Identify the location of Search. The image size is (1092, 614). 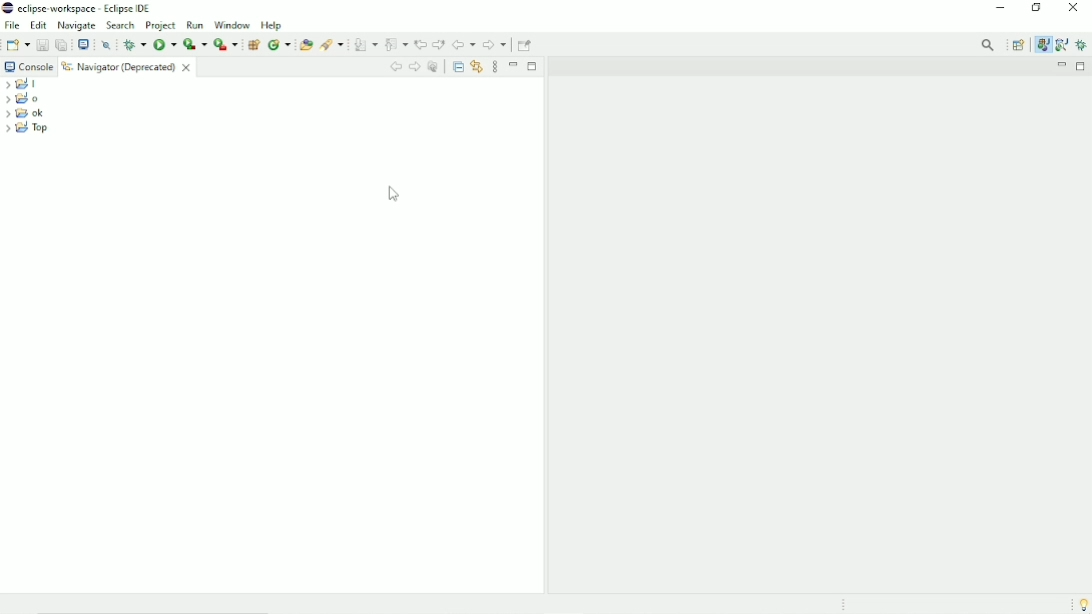
(121, 26).